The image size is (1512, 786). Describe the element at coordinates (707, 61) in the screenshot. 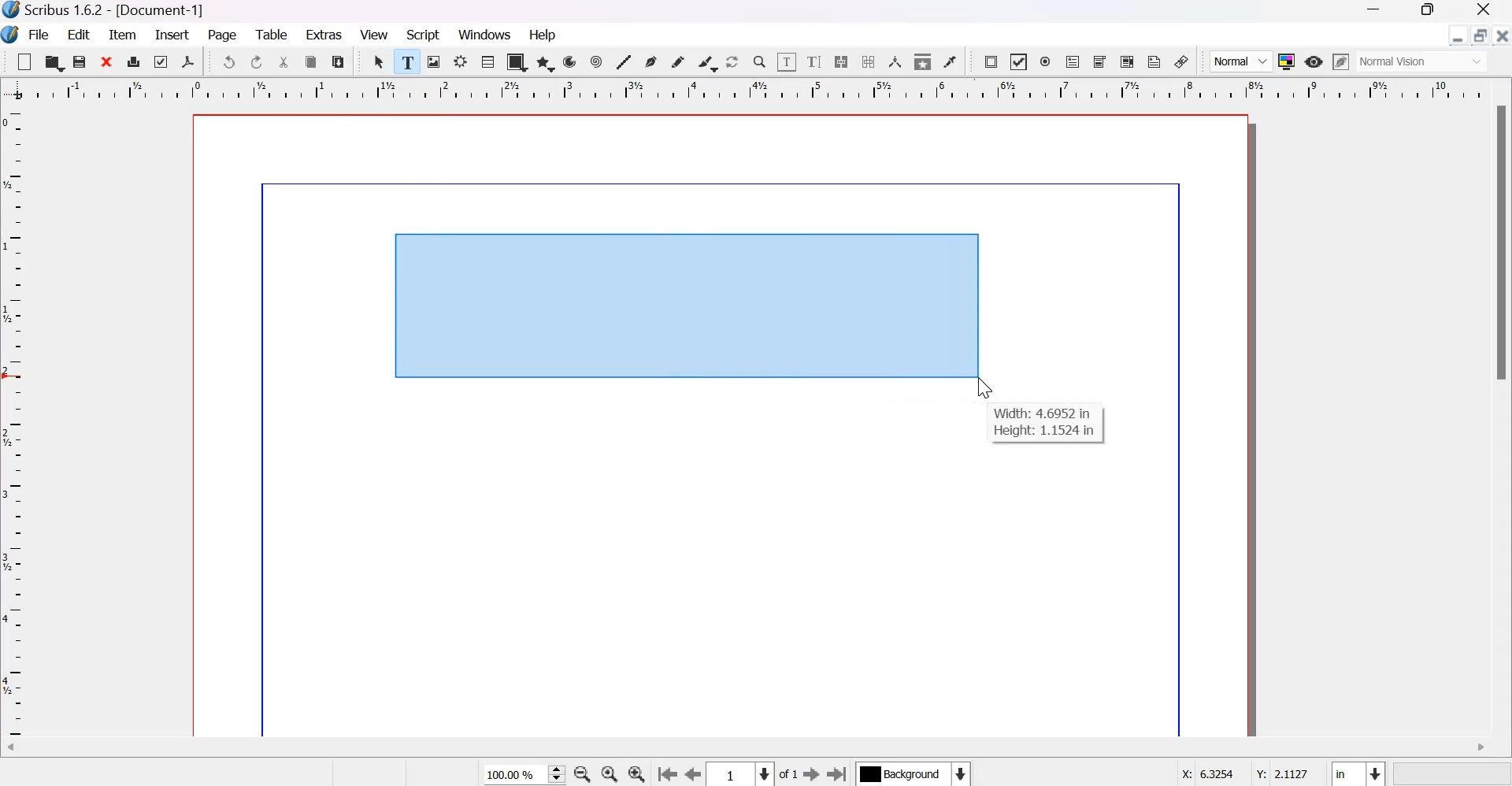

I see `Calligraphic line` at that location.